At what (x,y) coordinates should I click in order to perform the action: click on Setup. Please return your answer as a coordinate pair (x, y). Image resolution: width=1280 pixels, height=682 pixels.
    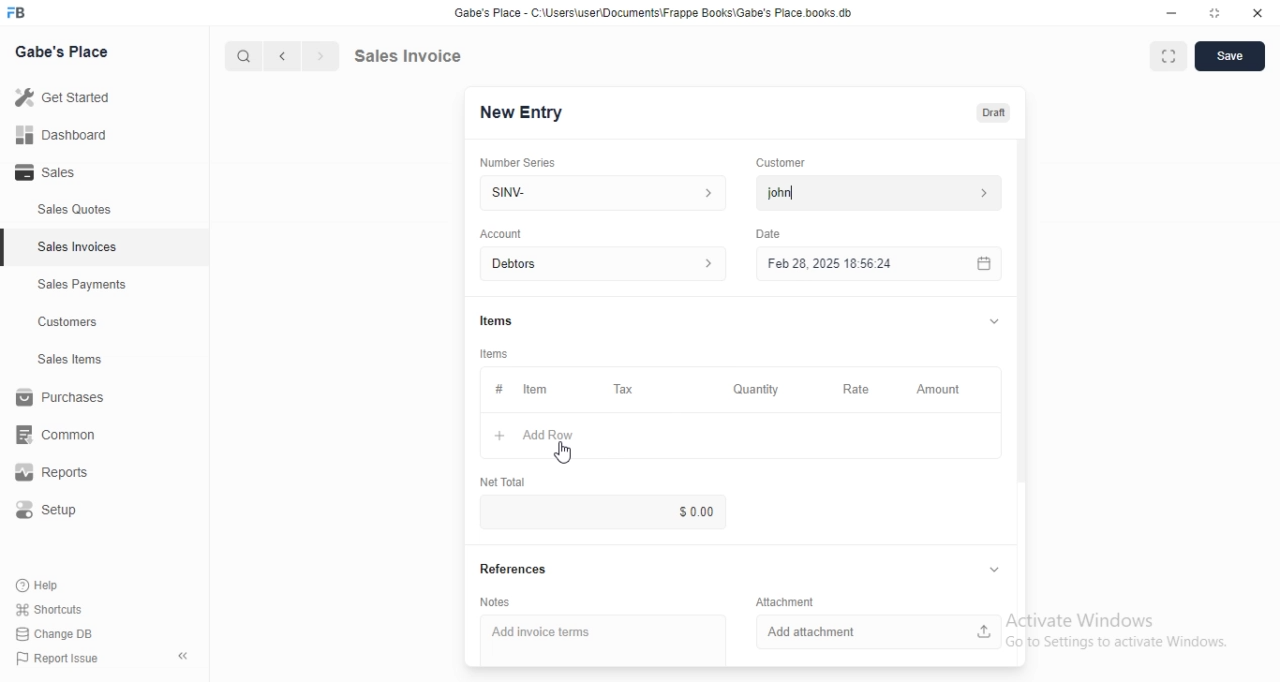
    Looking at the image, I should click on (57, 513).